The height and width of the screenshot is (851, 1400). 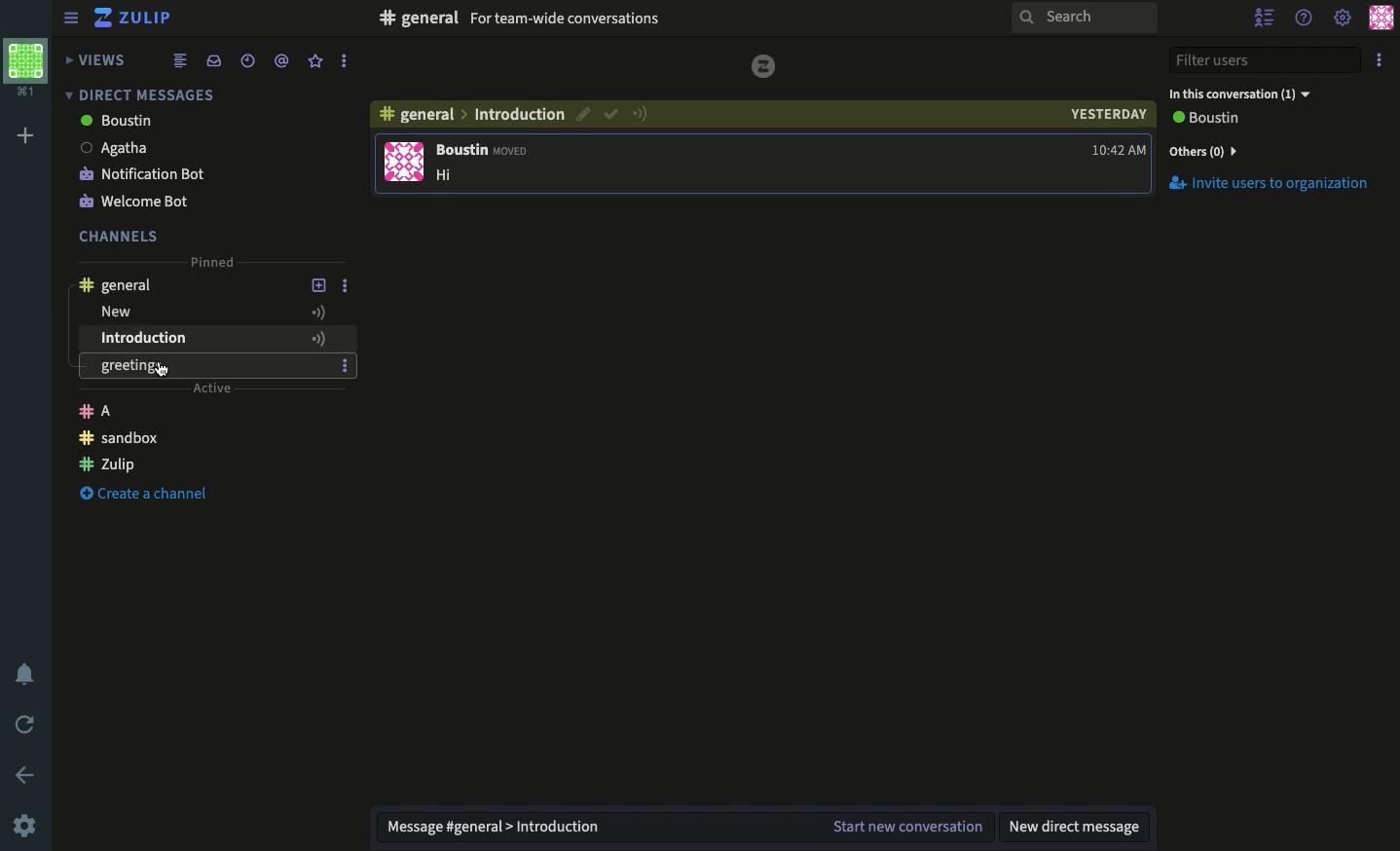 I want to click on new, so click(x=453, y=175).